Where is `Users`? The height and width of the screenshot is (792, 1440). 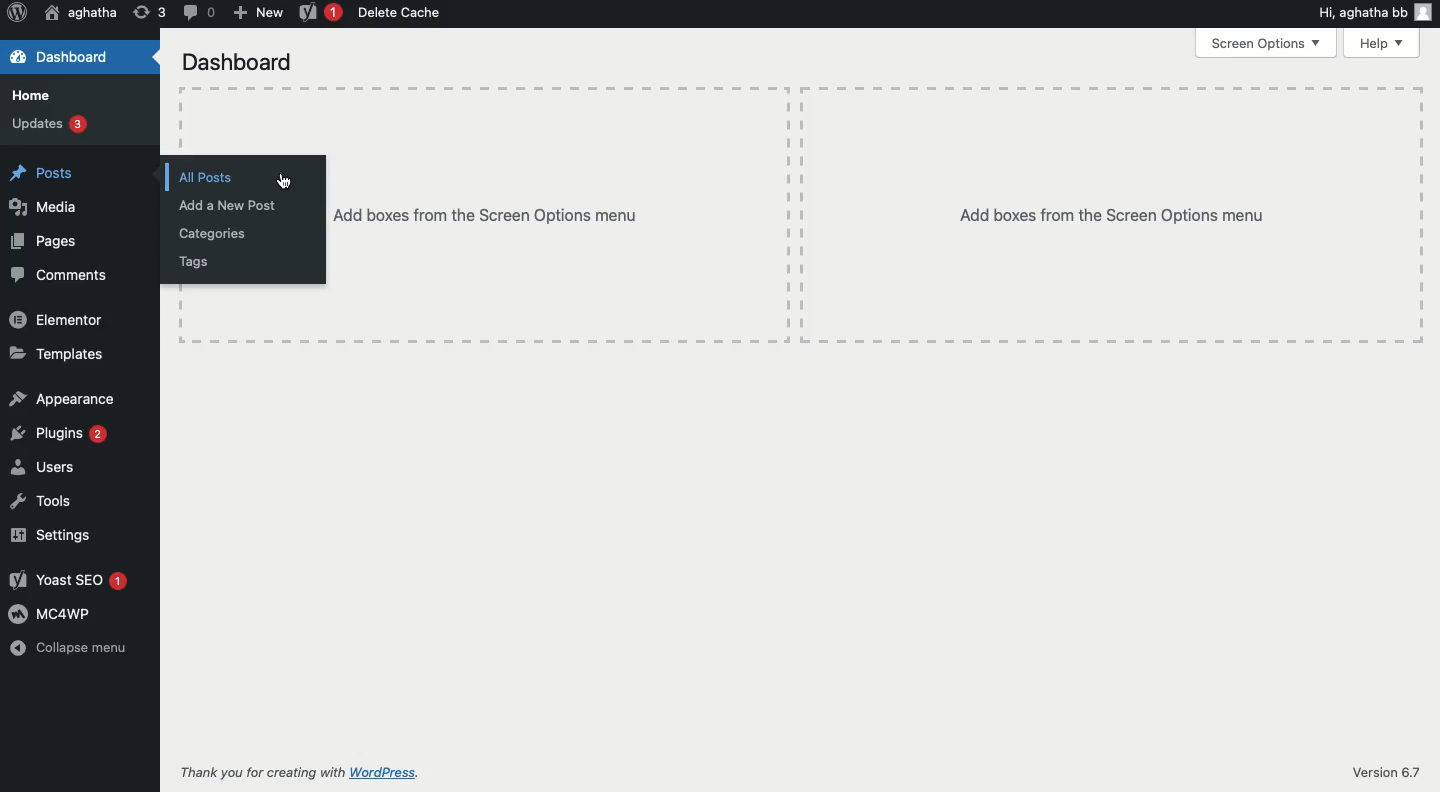
Users is located at coordinates (46, 466).